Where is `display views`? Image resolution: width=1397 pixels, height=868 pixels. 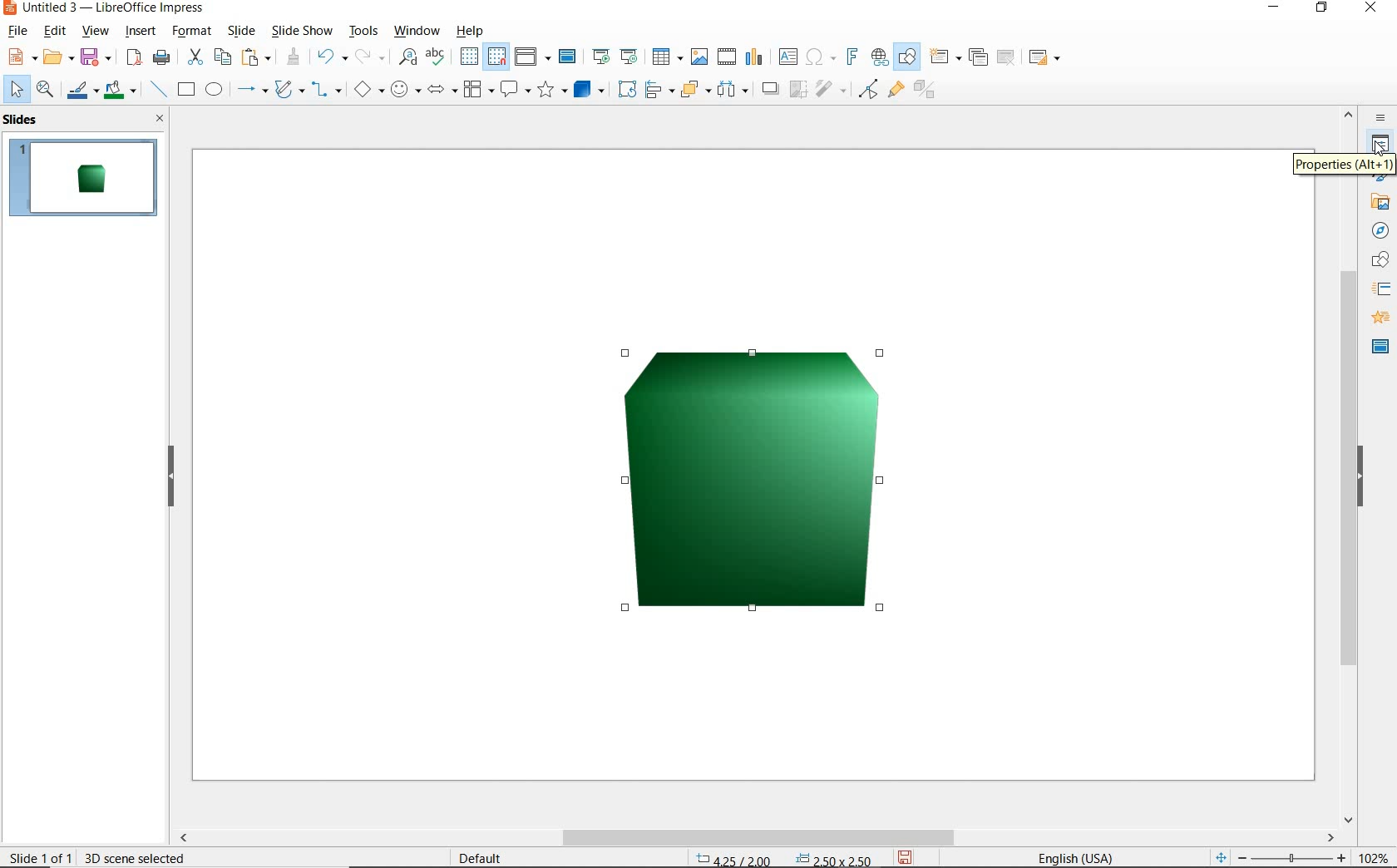
display views is located at coordinates (533, 57).